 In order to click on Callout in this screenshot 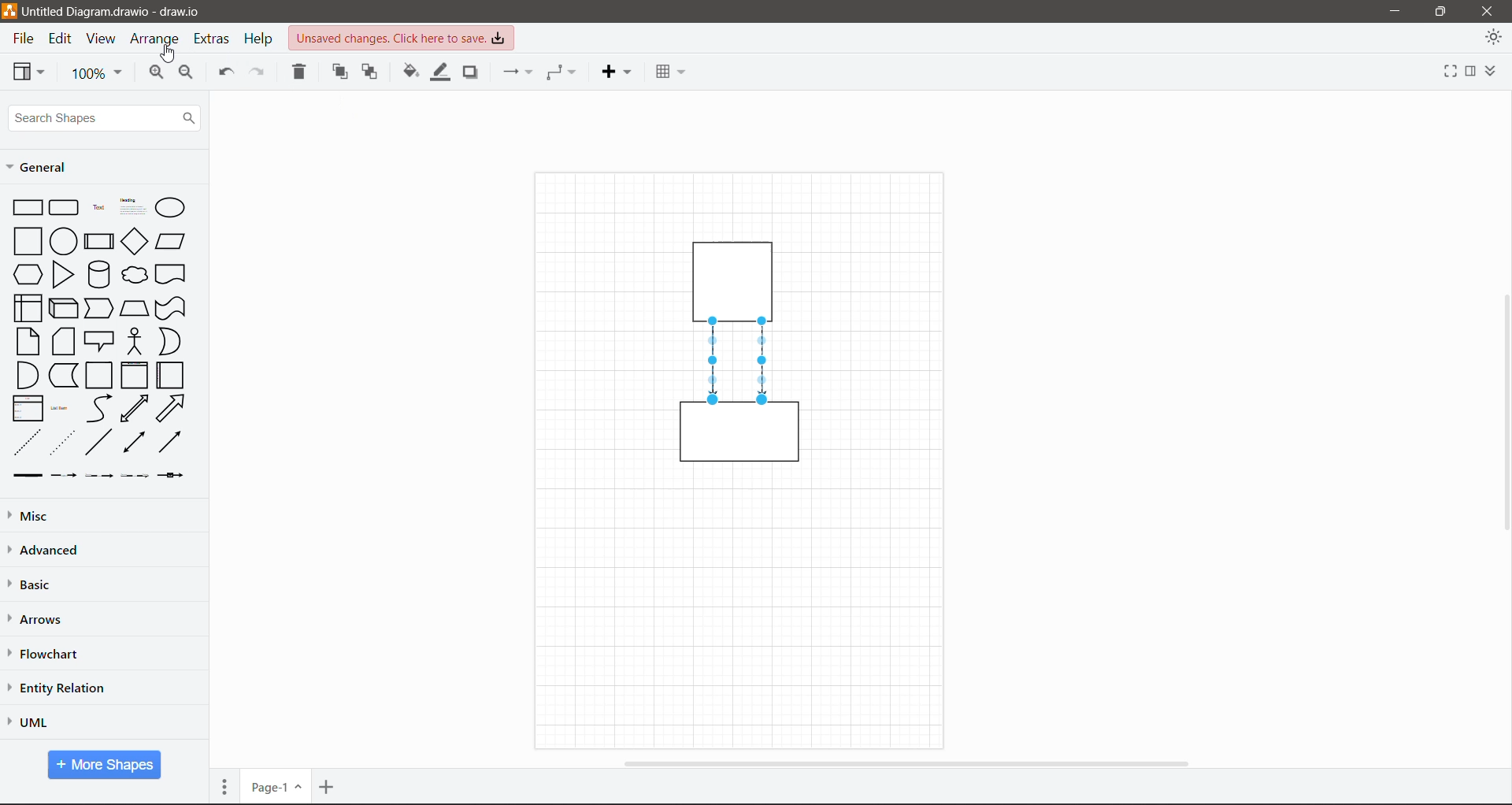, I will do `click(99, 341)`.